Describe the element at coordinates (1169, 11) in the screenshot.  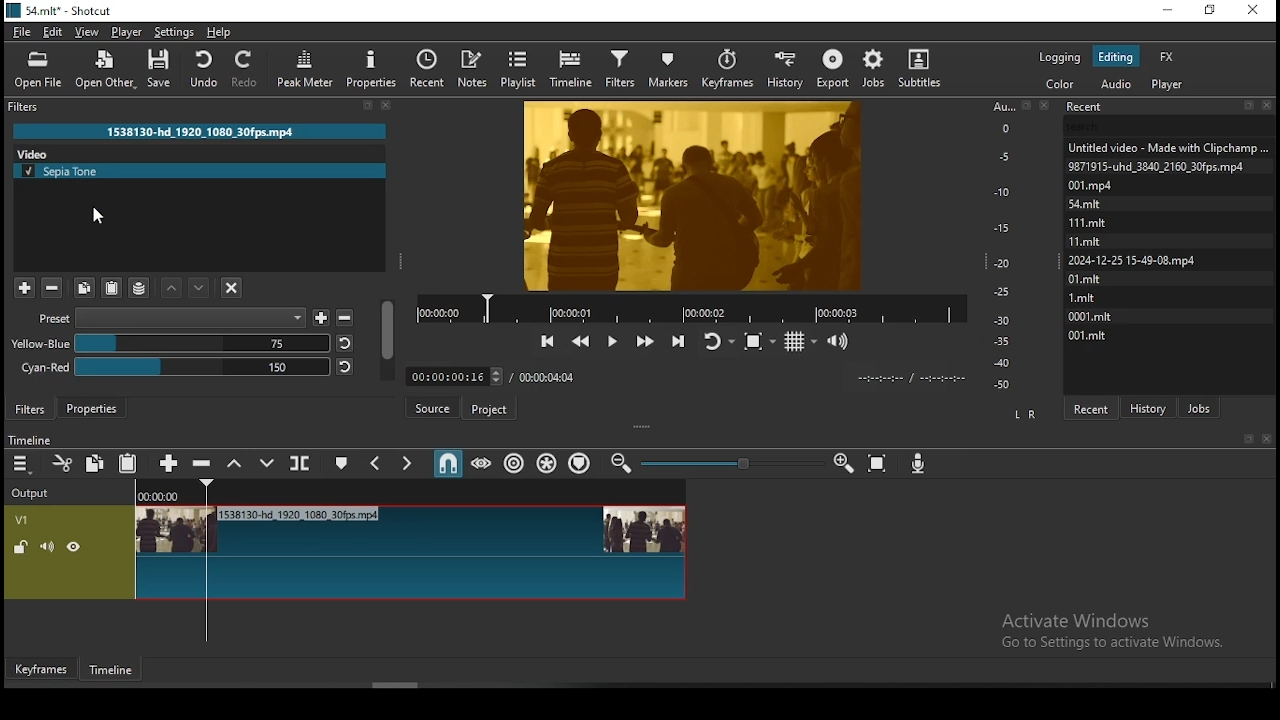
I see `minimize` at that location.